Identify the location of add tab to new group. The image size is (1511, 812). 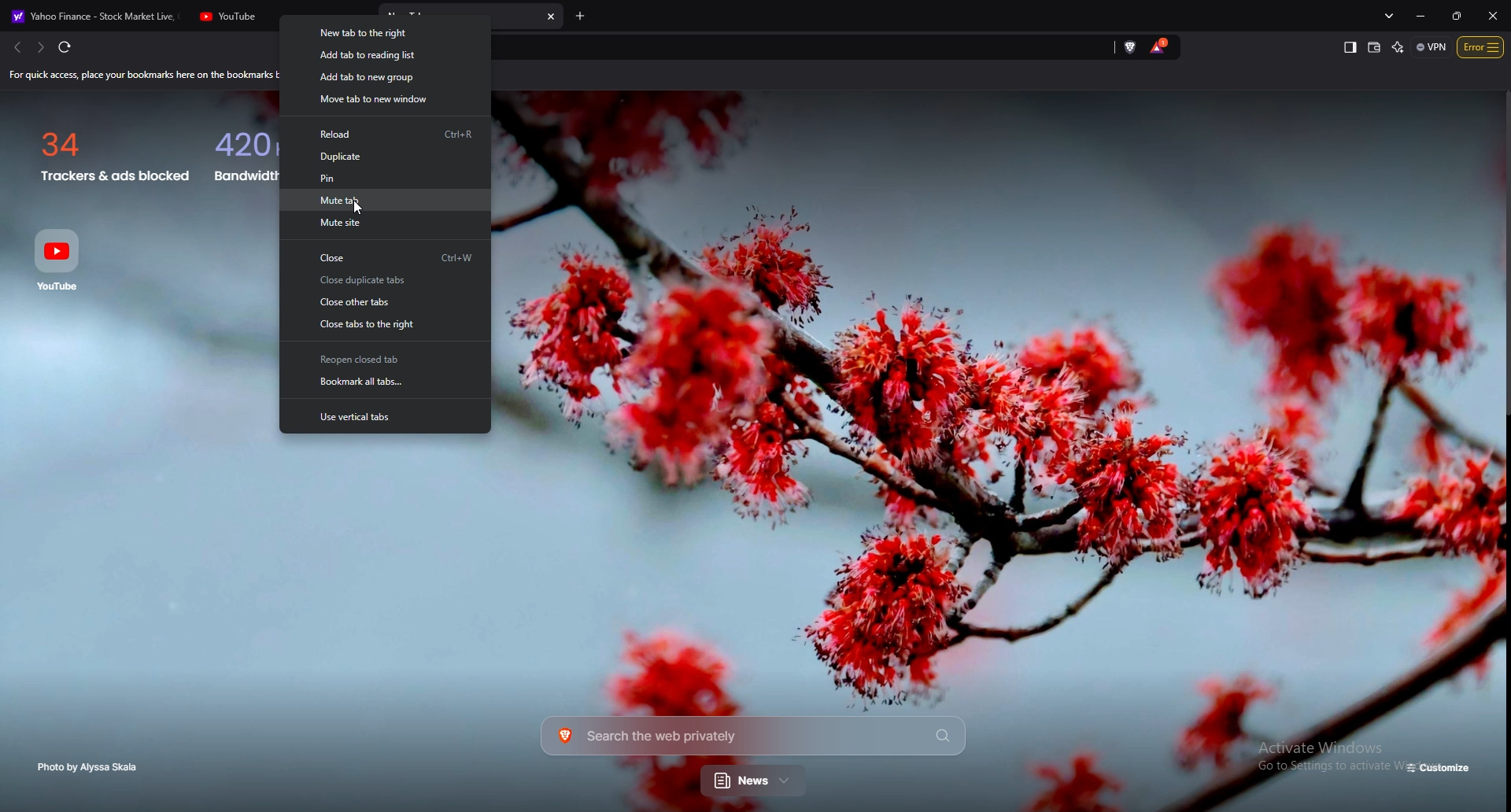
(383, 76).